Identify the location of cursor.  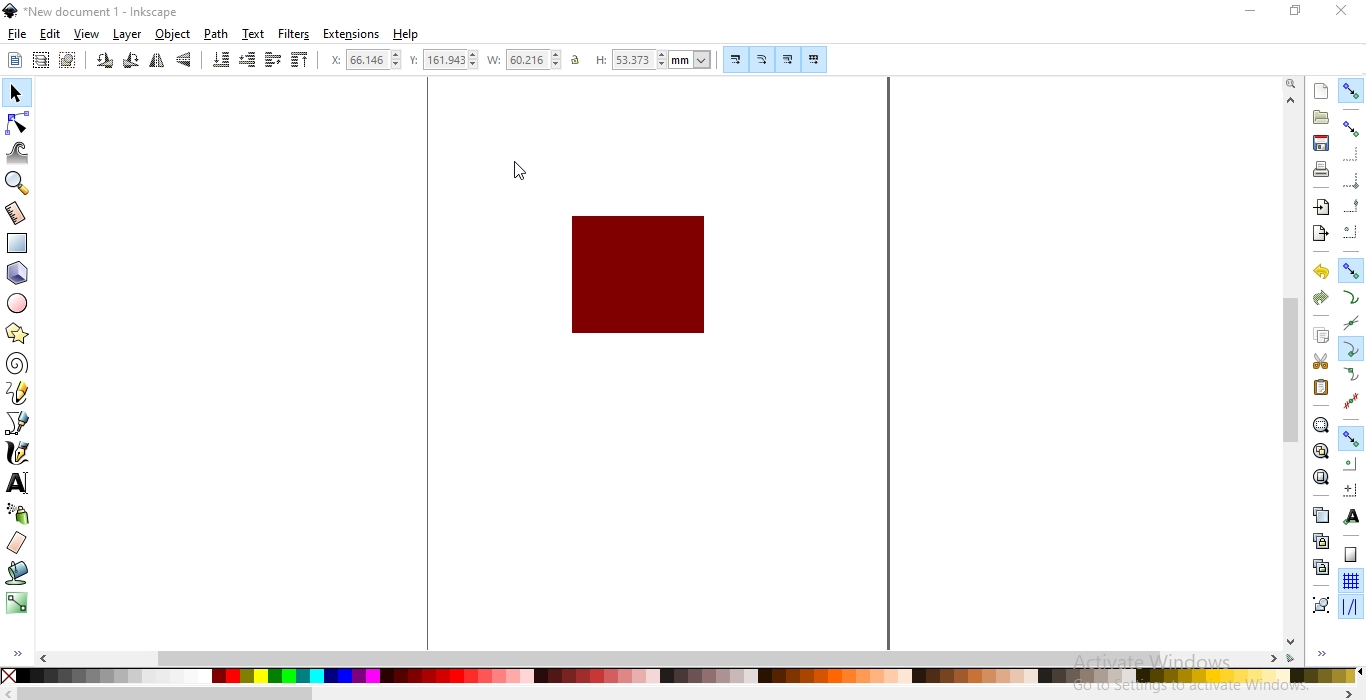
(521, 170).